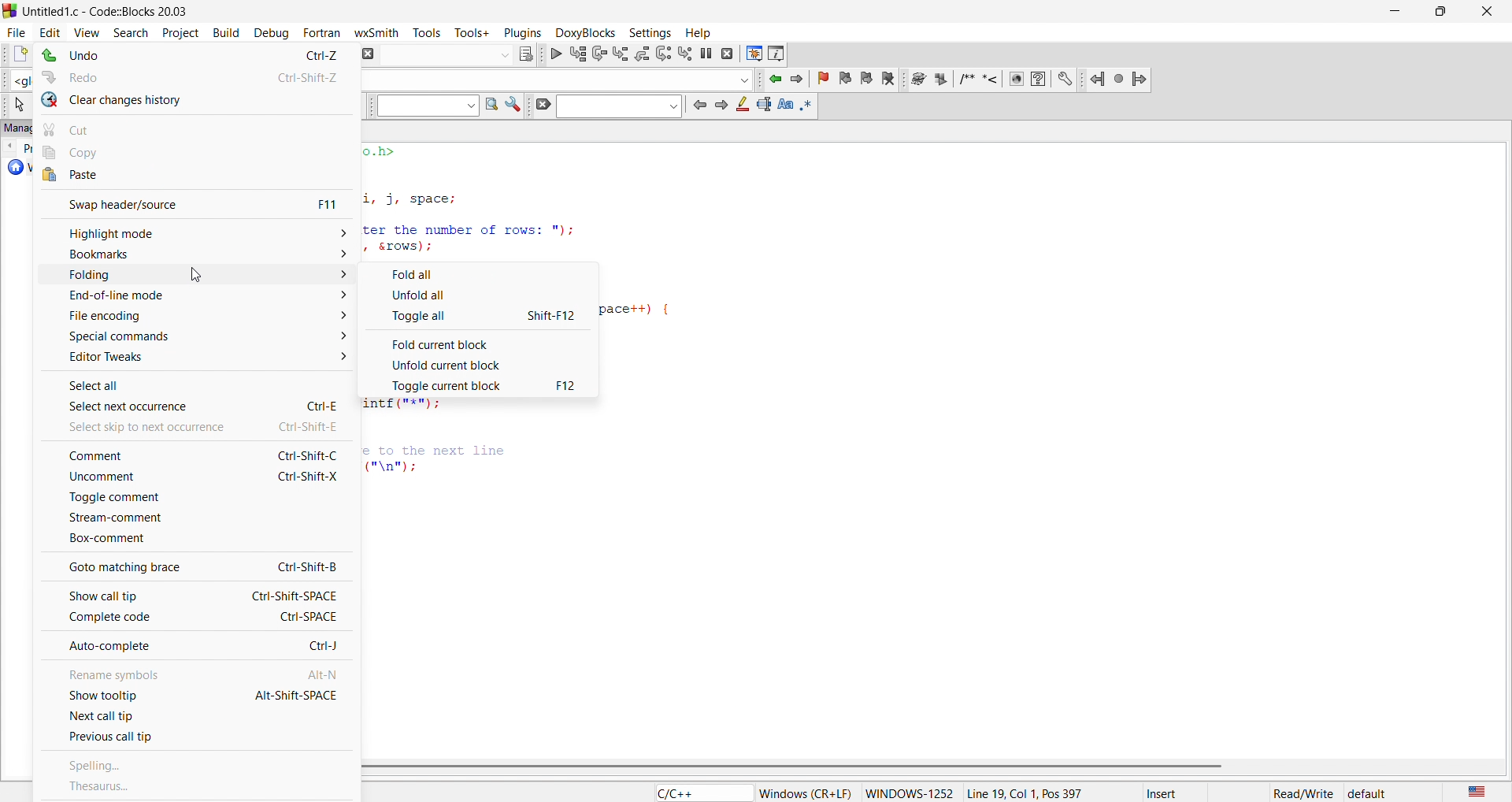  Describe the element at coordinates (480, 341) in the screenshot. I see `fold current block` at that location.